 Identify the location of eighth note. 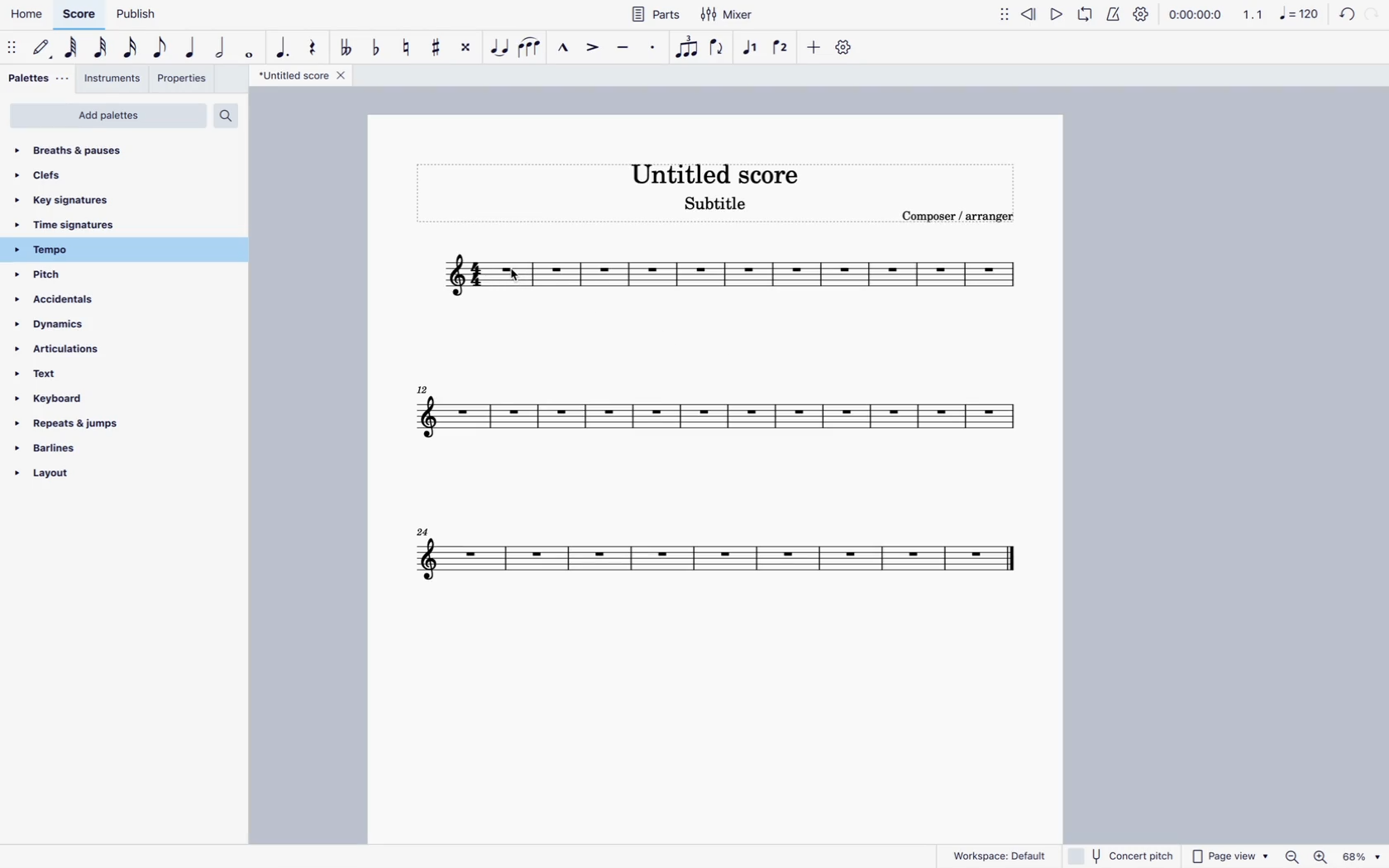
(162, 46).